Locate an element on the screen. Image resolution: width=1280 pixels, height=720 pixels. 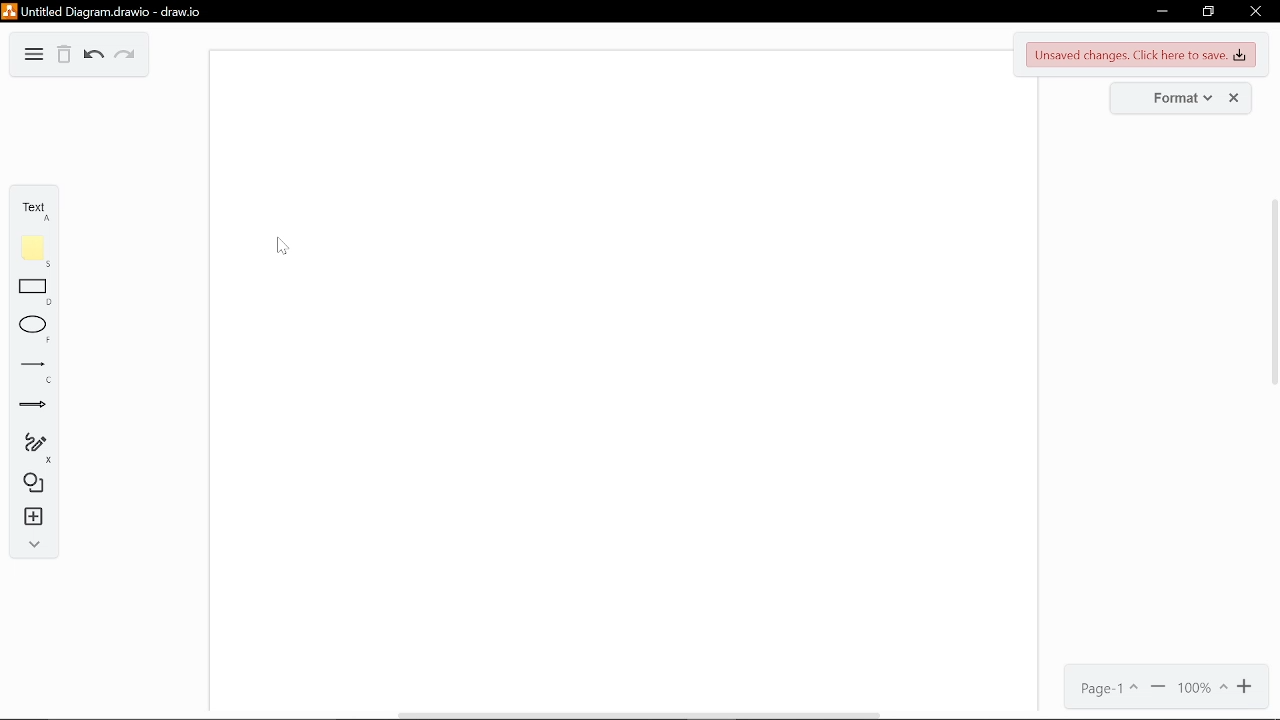
ellipse is located at coordinates (33, 327).